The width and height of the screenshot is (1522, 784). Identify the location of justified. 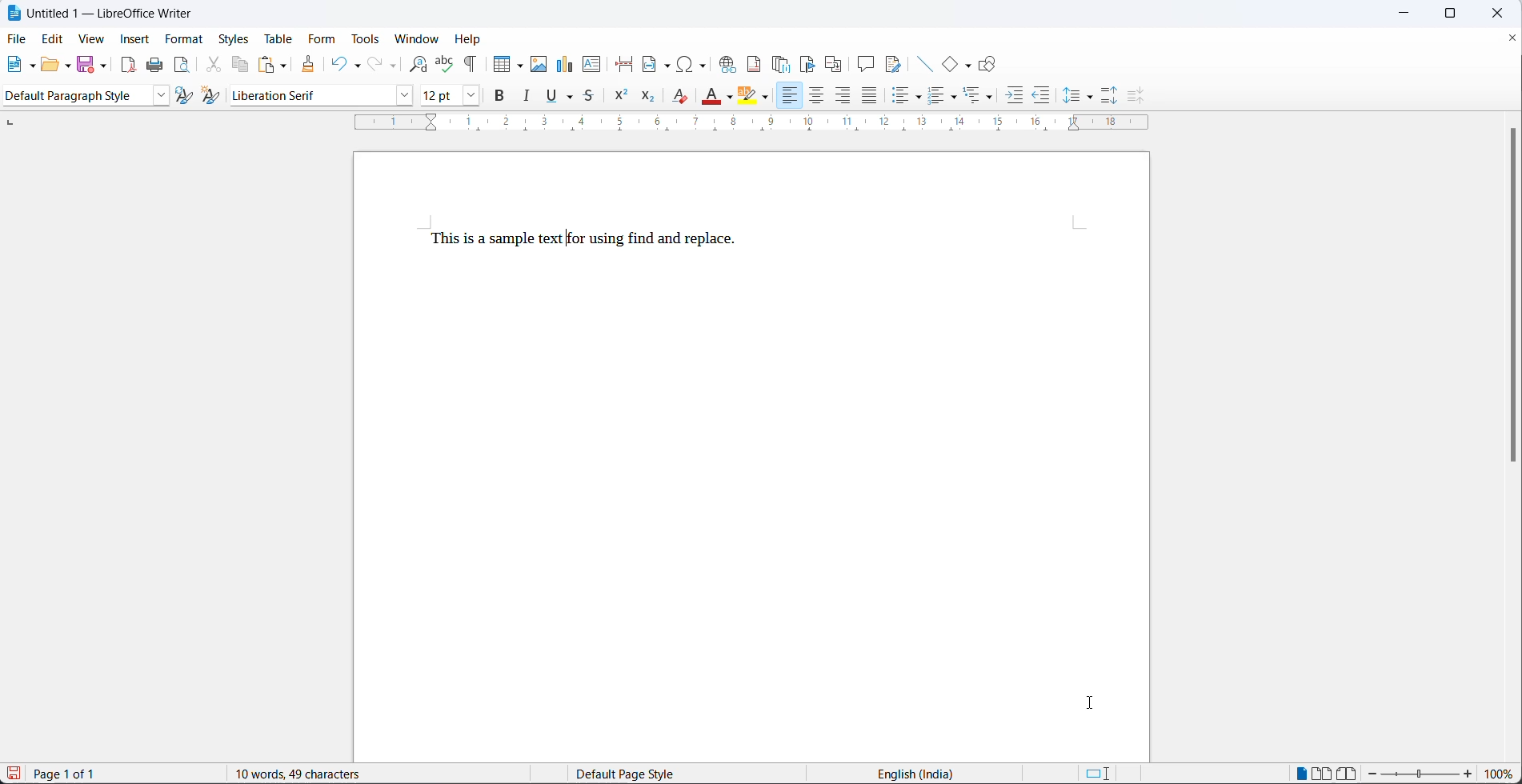
(870, 97).